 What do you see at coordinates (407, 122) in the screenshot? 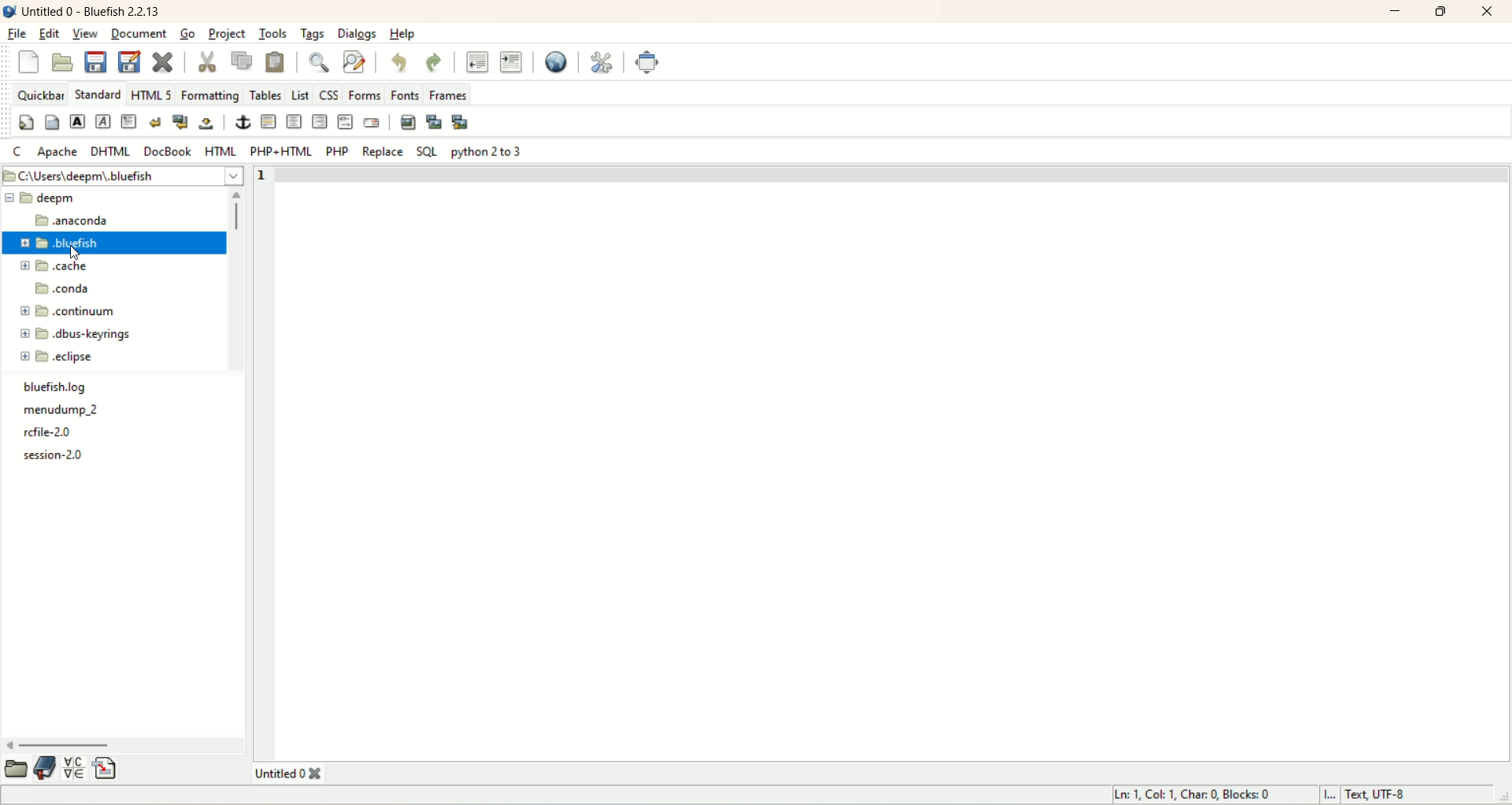
I see `insert image` at bounding box center [407, 122].